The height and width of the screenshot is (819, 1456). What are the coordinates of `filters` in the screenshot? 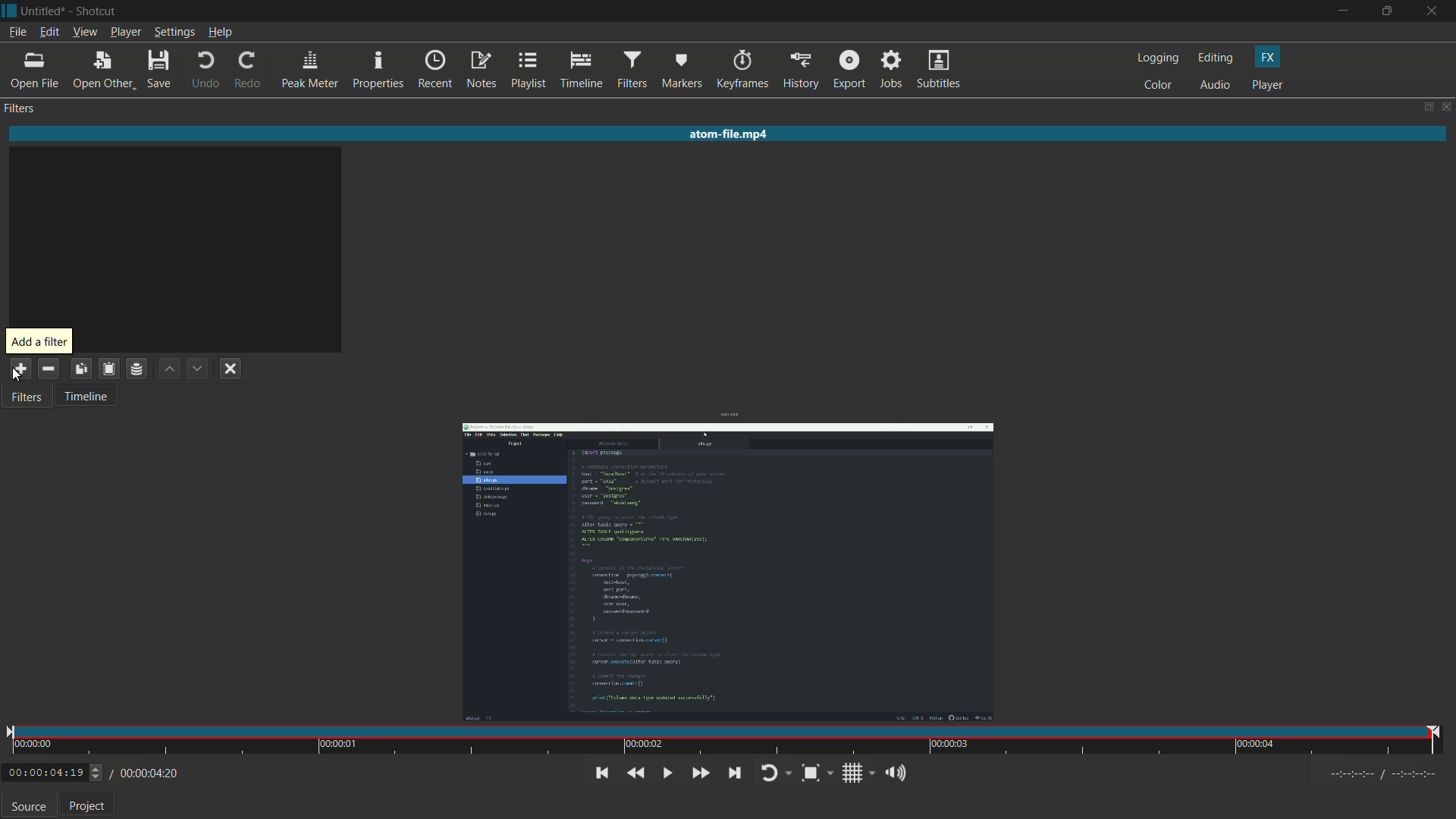 It's located at (630, 71).